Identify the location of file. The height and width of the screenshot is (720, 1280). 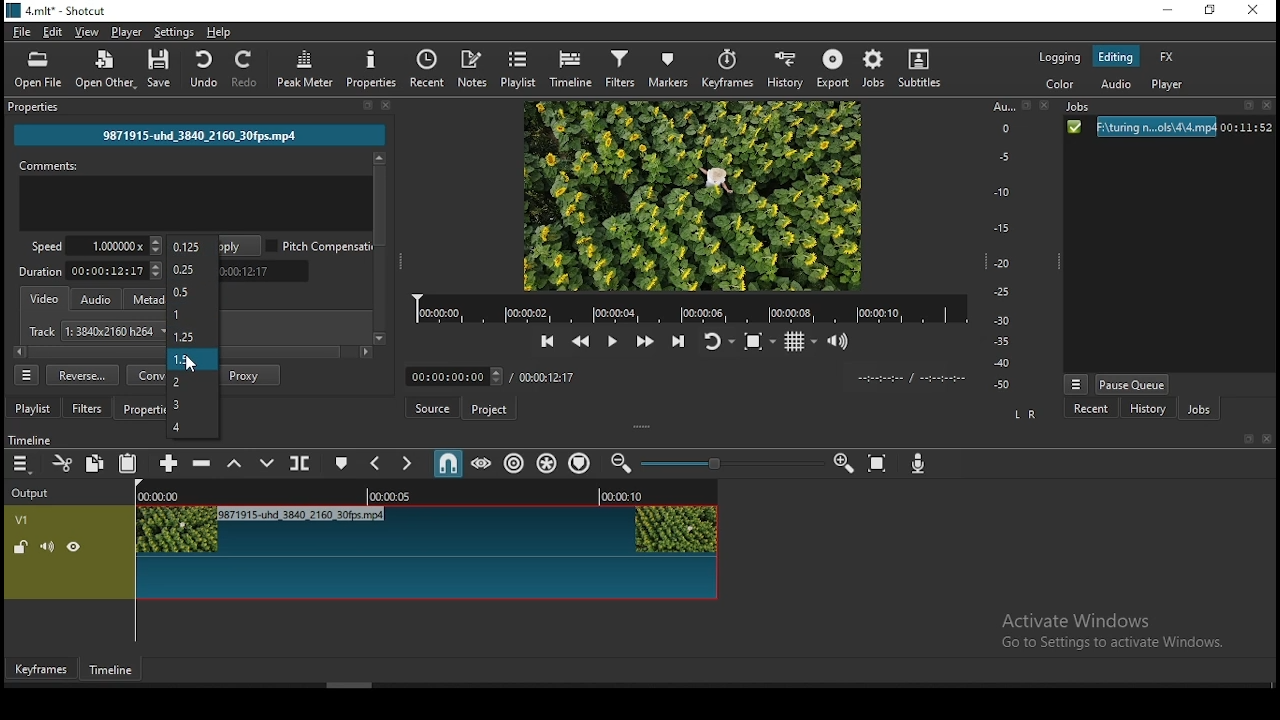
(23, 33).